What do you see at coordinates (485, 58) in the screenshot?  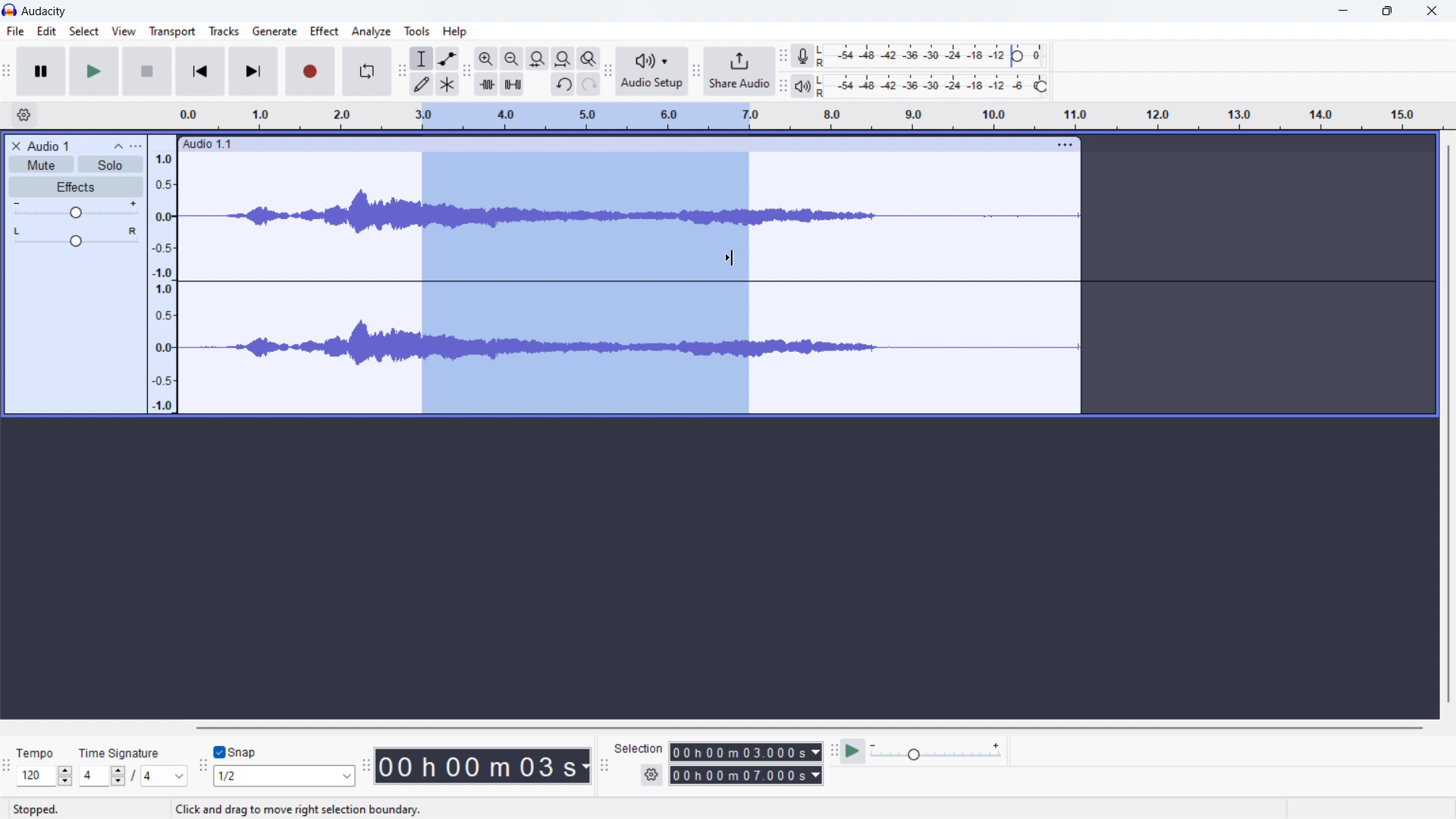 I see `zoom in` at bounding box center [485, 58].